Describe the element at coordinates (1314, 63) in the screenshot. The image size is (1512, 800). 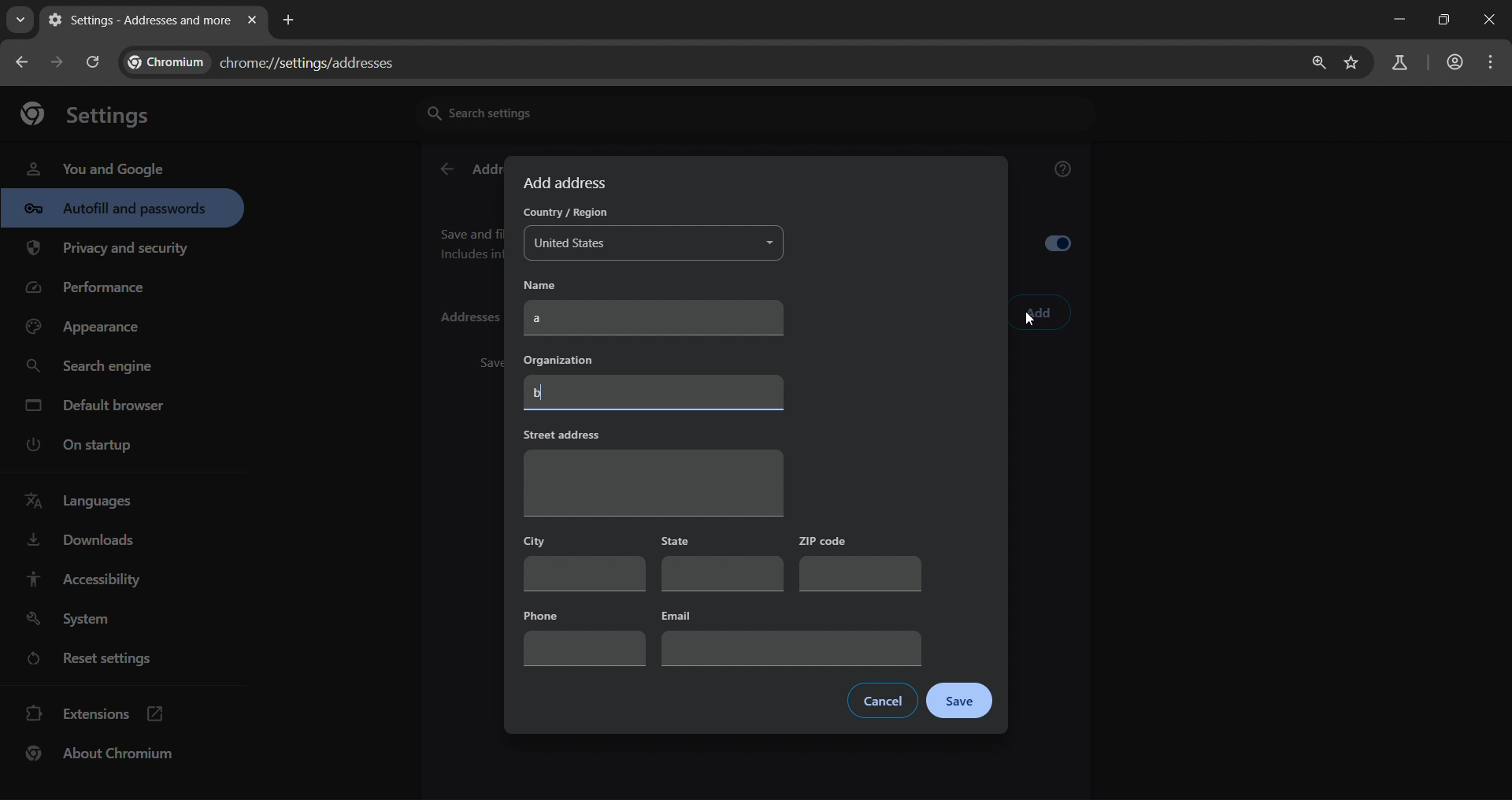
I see `zoom` at that location.